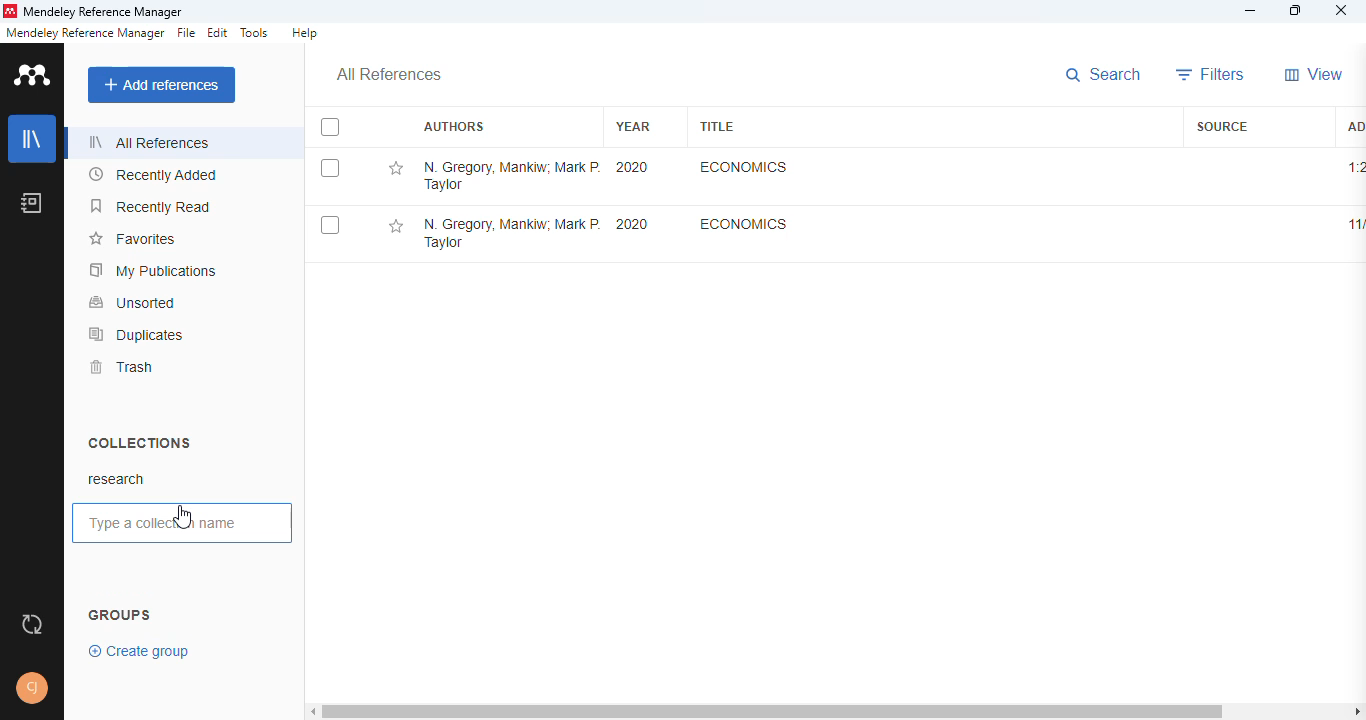 The image size is (1366, 720). What do you see at coordinates (632, 224) in the screenshot?
I see `2020` at bounding box center [632, 224].